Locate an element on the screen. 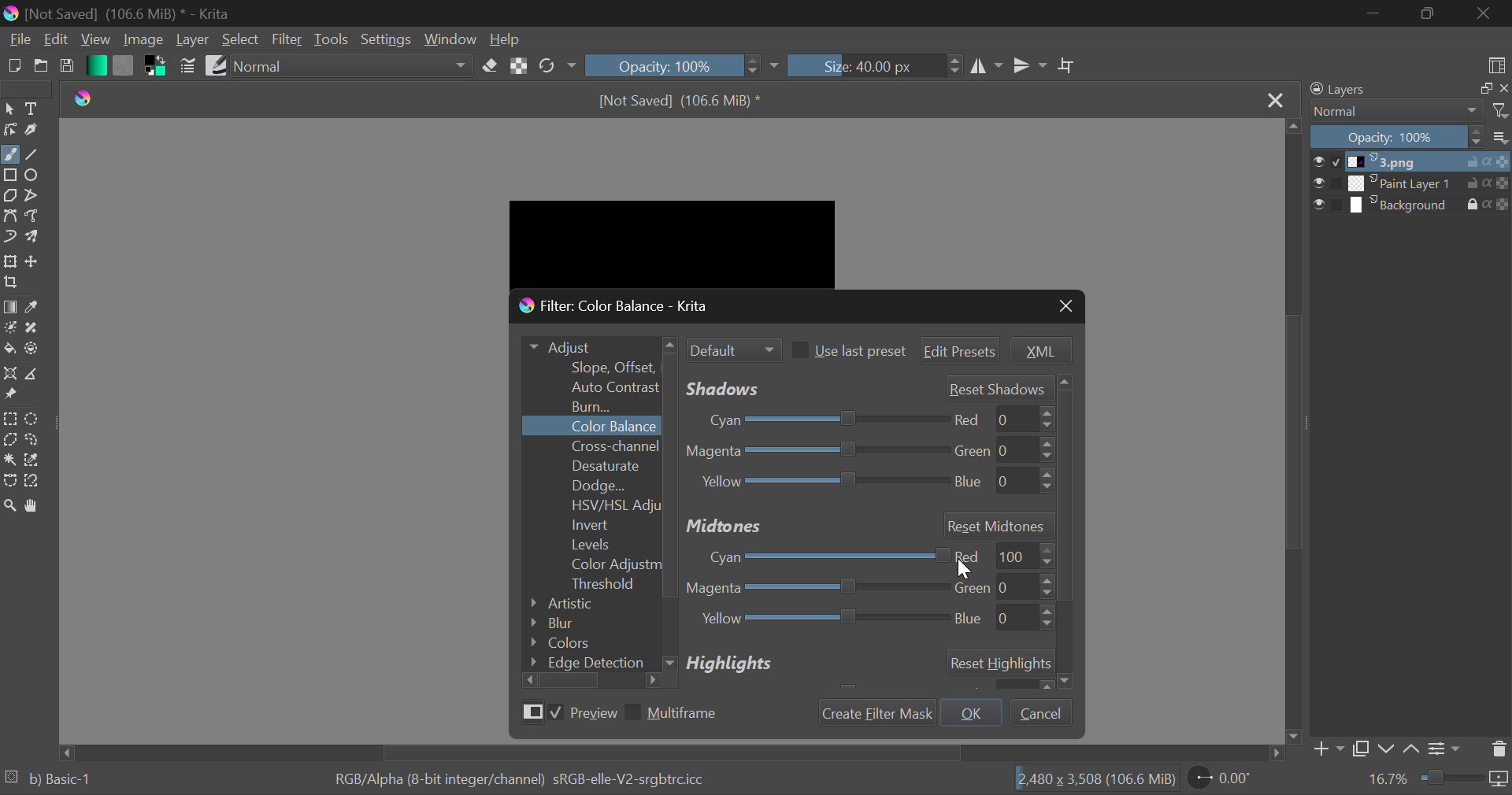 Image resolution: width=1512 pixels, height=795 pixels. View is located at coordinates (95, 41).